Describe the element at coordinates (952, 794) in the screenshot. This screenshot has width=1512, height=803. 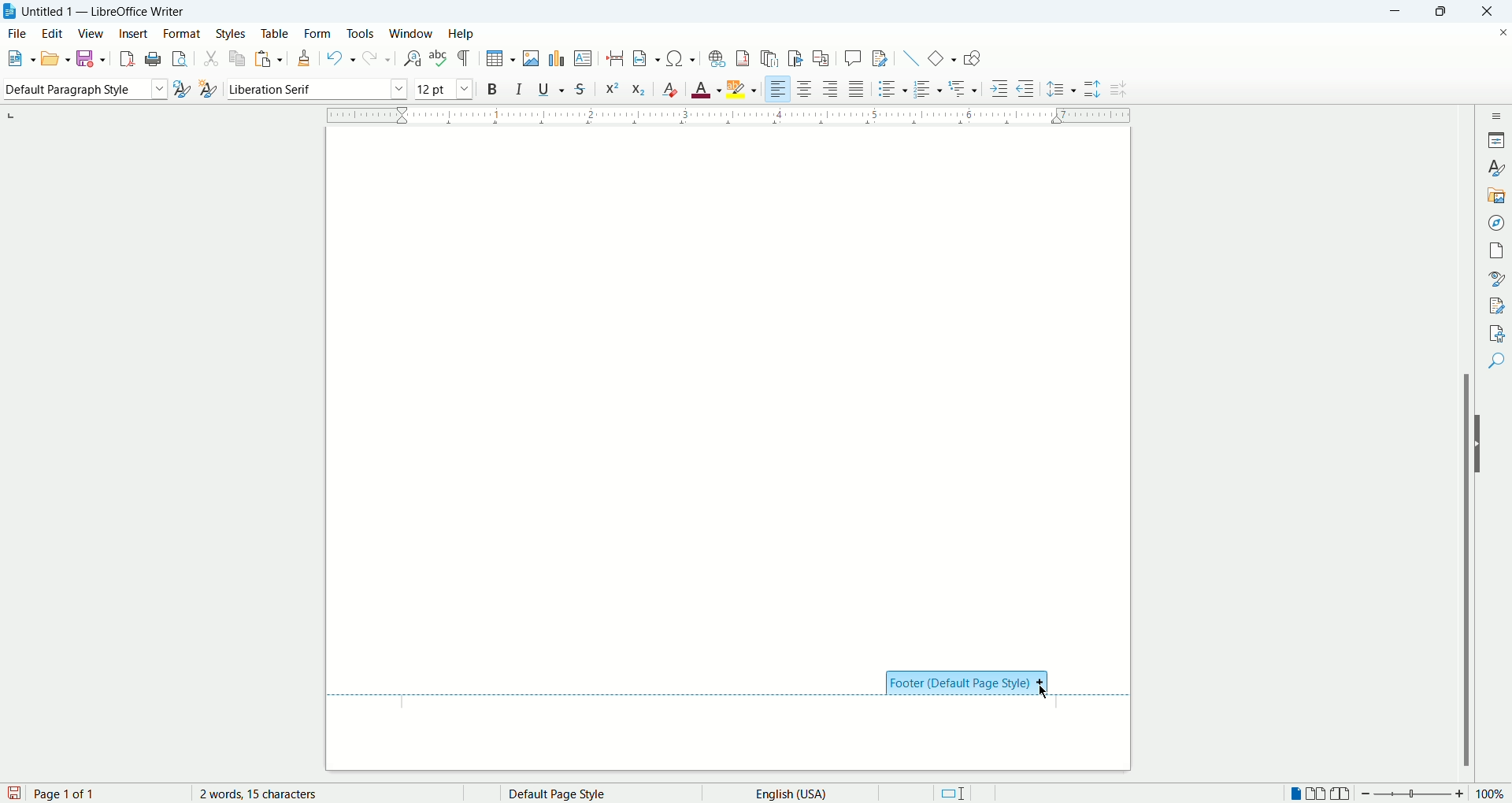
I see `standard selection` at that location.